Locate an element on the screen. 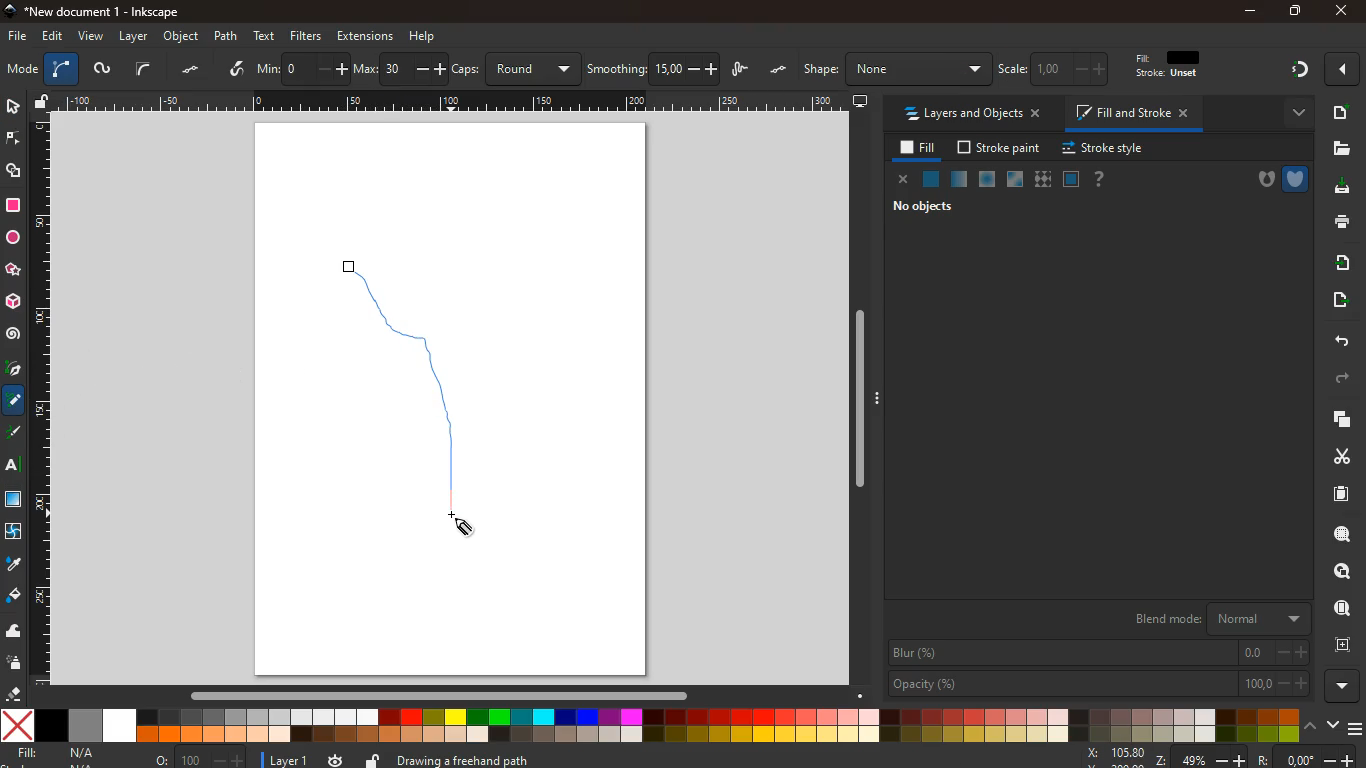 Image resolution: width=1366 pixels, height=768 pixels. up is located at coordinates (1310, 725).